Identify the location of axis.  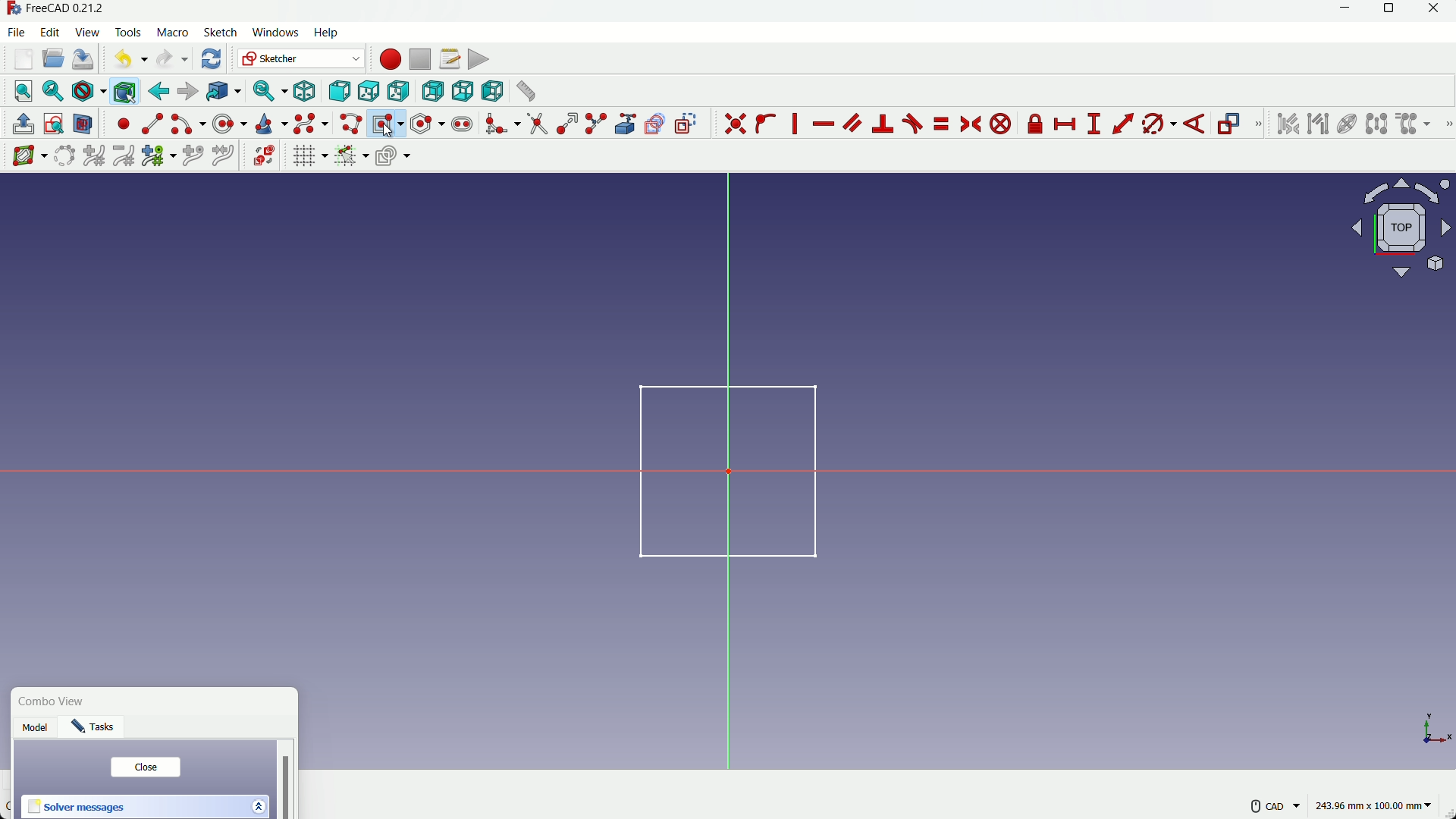
(1433, 722).